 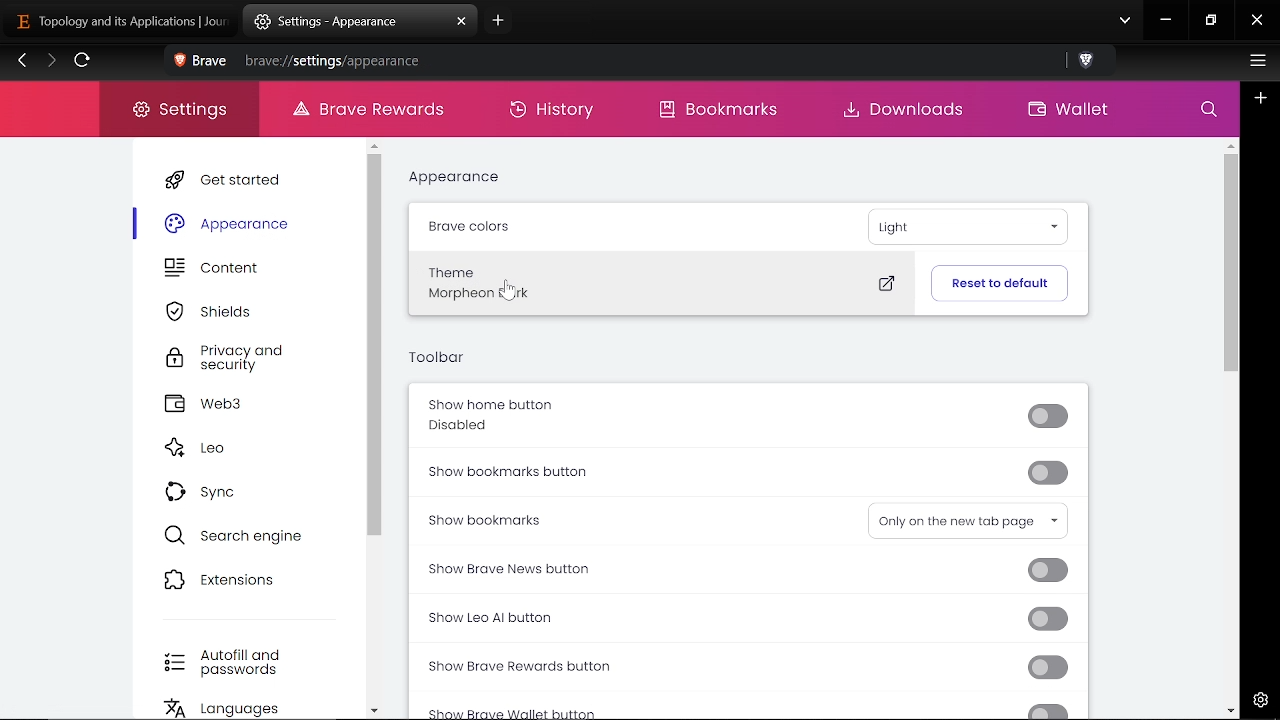 I want to click on Reset to default, so click(x=999, y=282).